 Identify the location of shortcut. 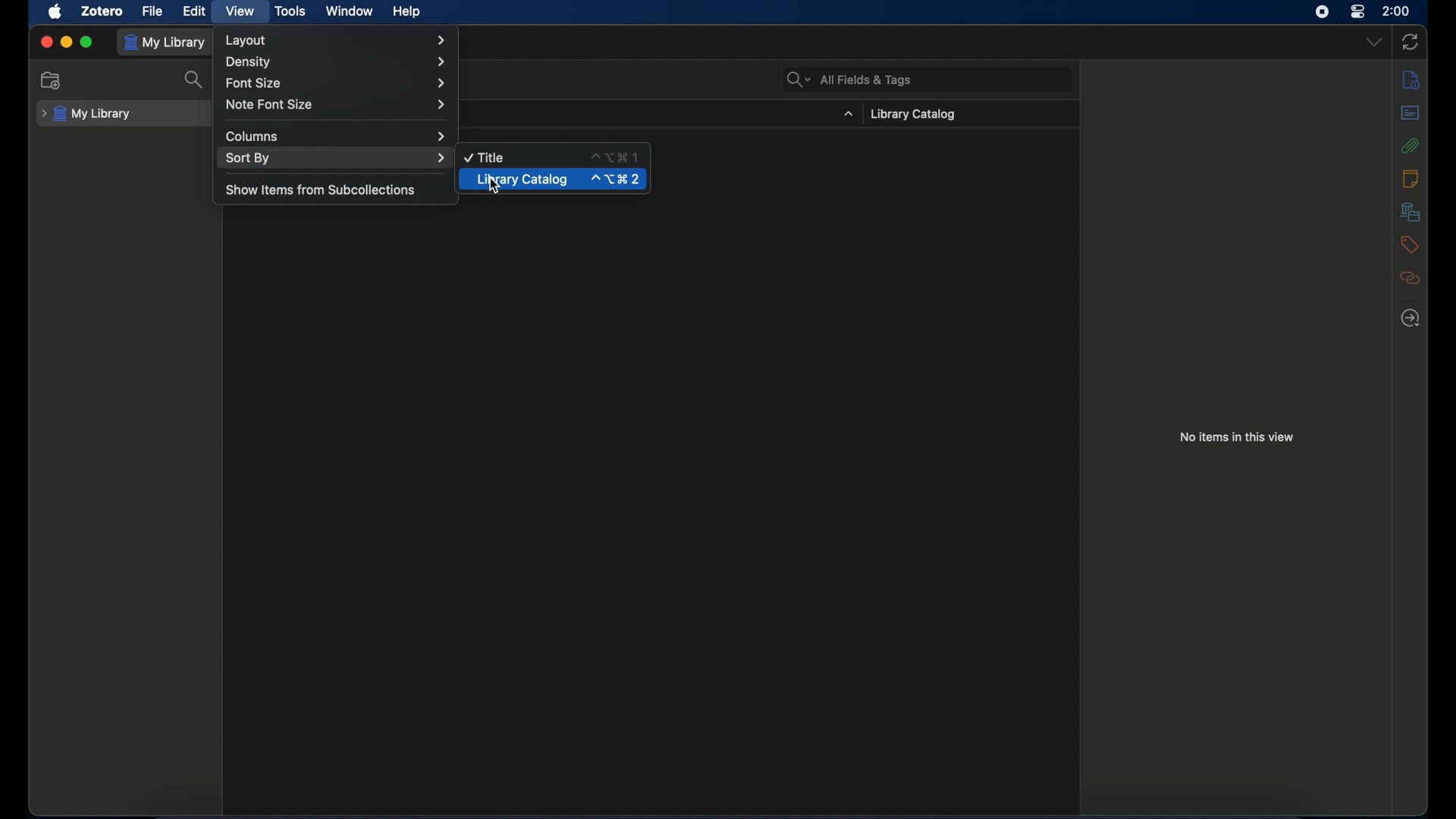
(614, 157).